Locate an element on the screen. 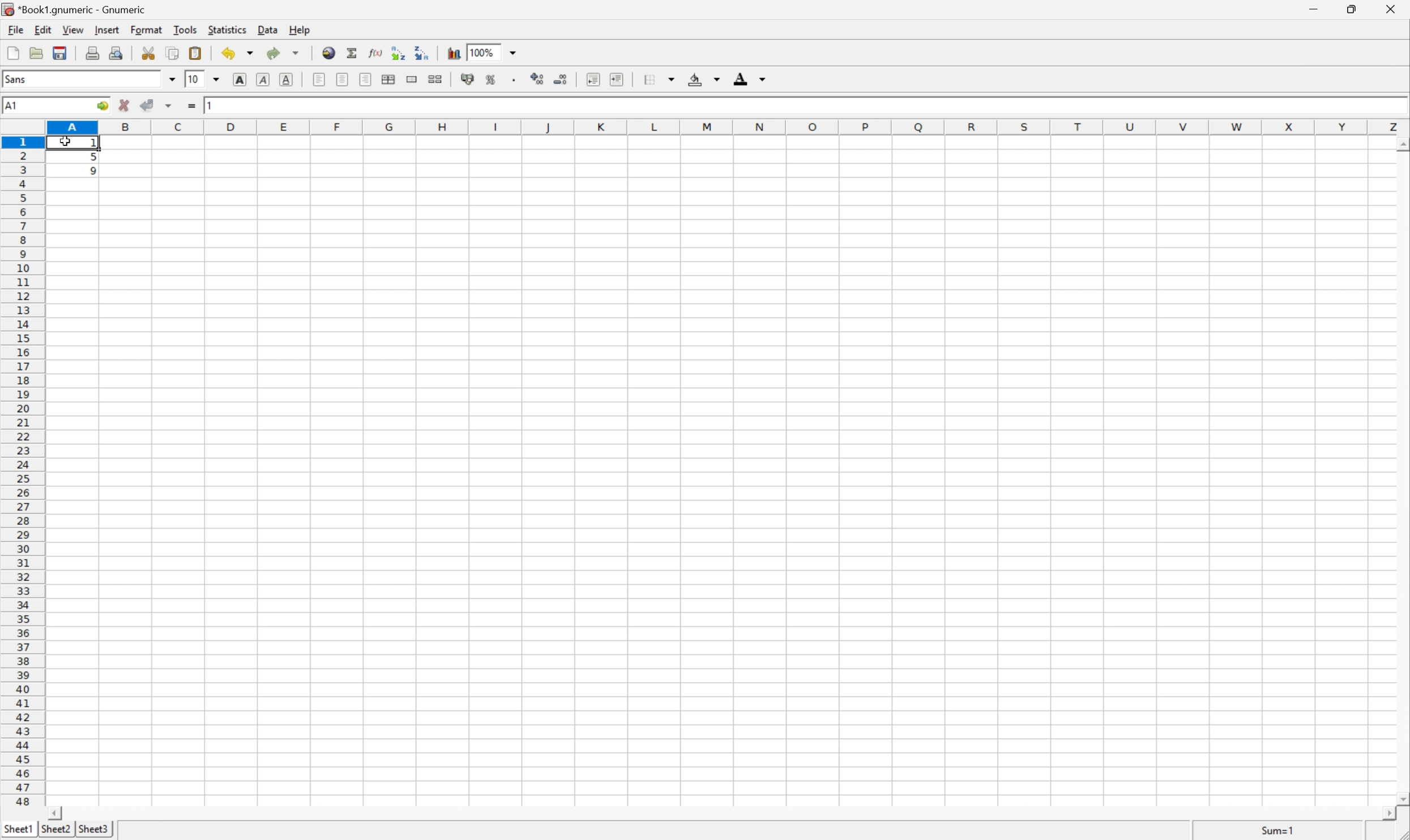 The width and height of the screenshot is (1410, 840). help is located at coordinates (301, 29).